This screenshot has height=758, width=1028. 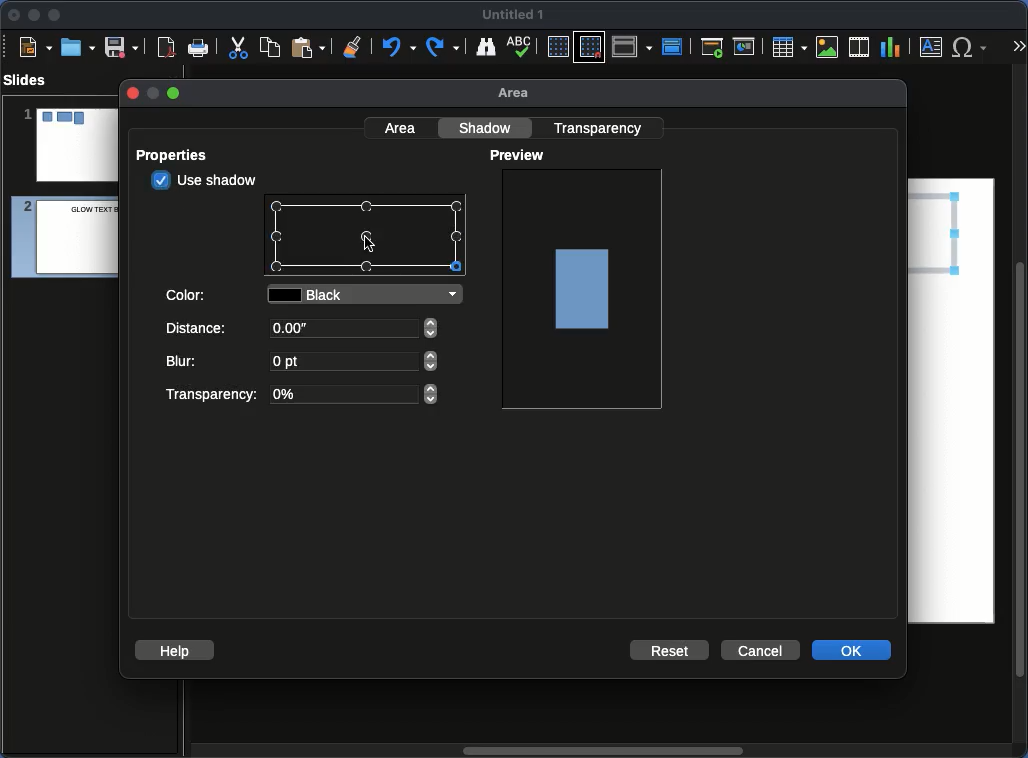 What do you see at coordinates (519, 94) in the screenshot?
I see `Area` at bounding box center [519, 94].